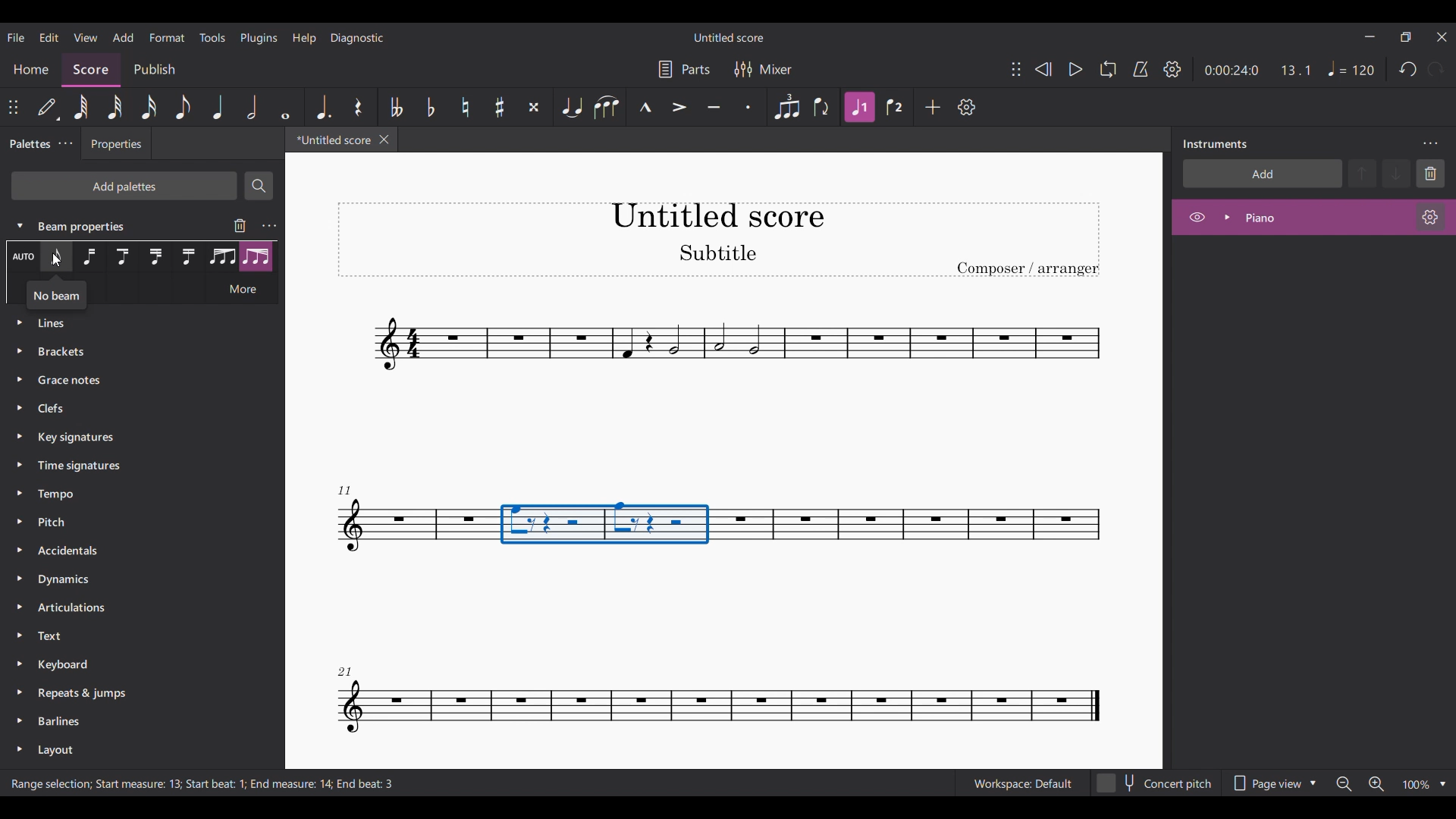 This screenshot has width=1456, height=819. Describe the element at coordinates (135, 328) in the screenshot. I see `Lines` at that location.